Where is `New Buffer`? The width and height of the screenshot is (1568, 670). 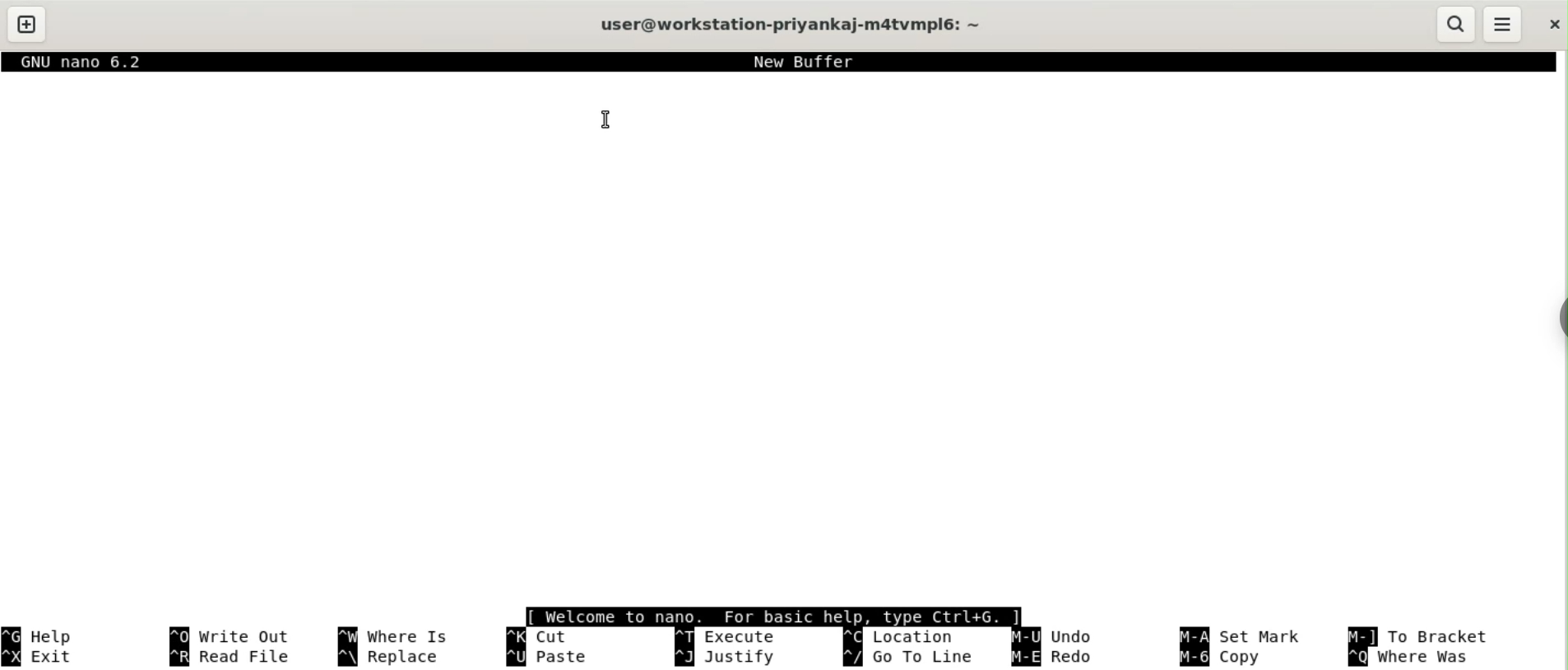 New Buffer is located at coordinates (800, 62).